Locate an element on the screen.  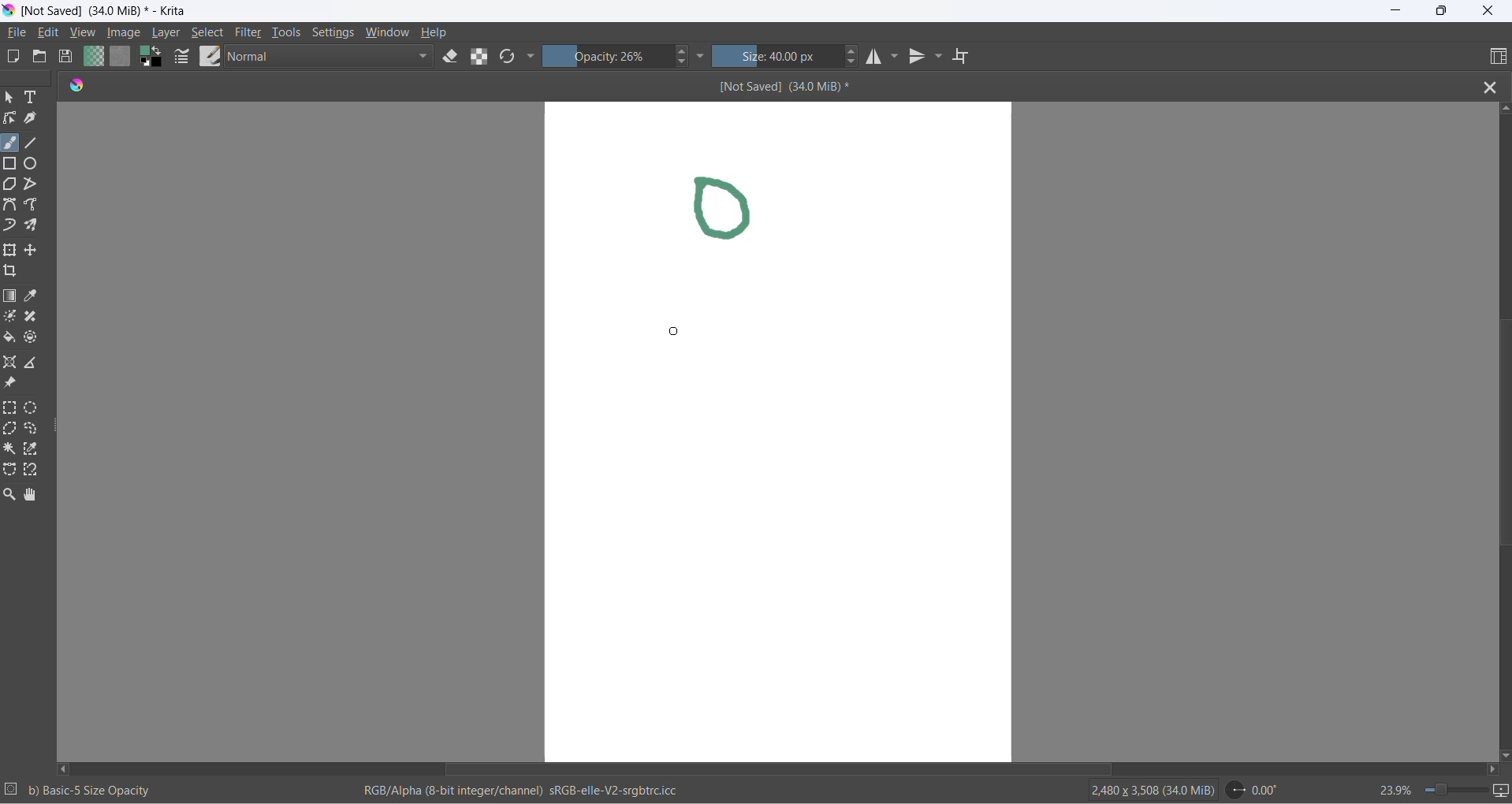
image is located at coordinates (125, 33).